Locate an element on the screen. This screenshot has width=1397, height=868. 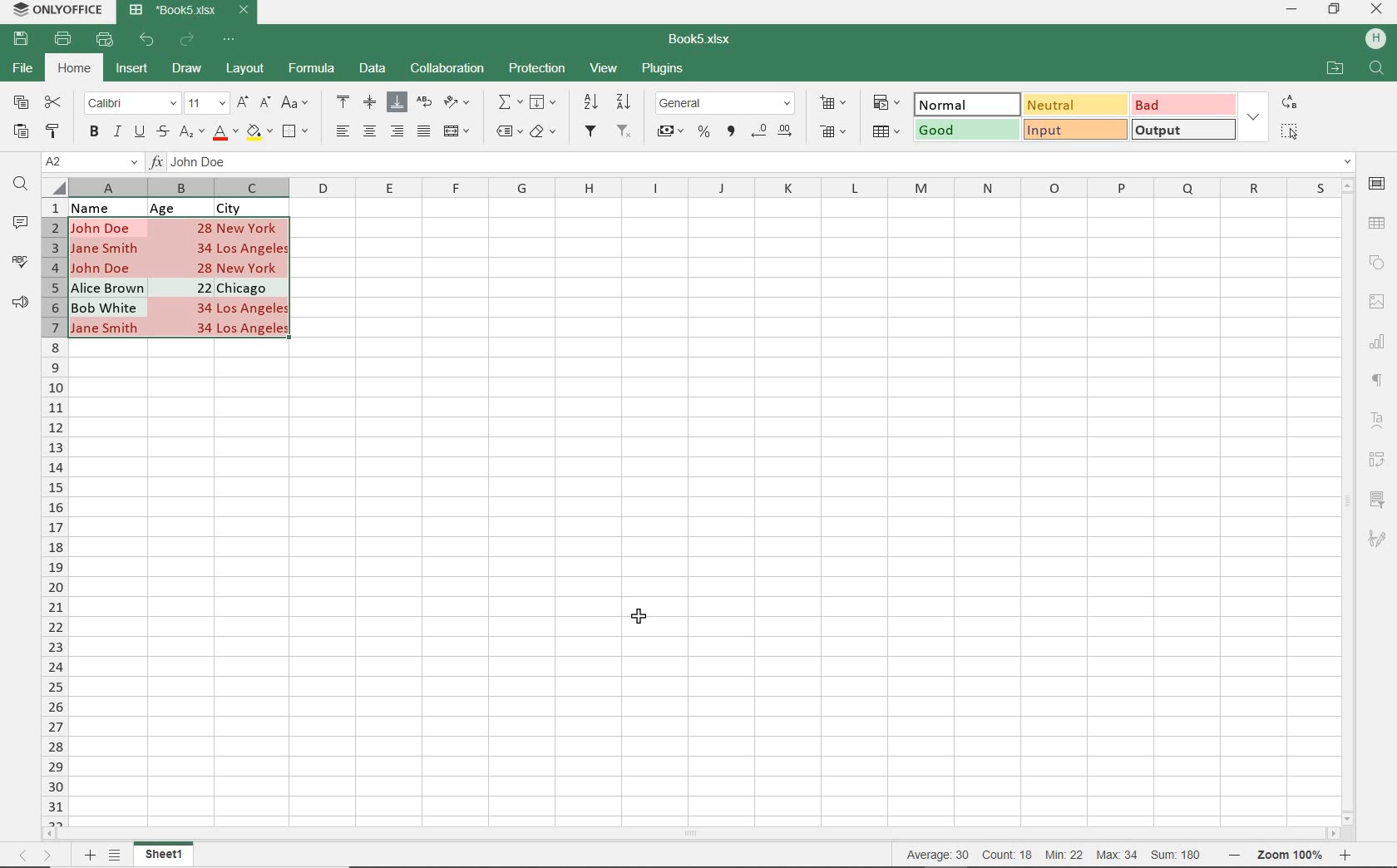
WRAP TEXT is located at coordinates (425, 104).